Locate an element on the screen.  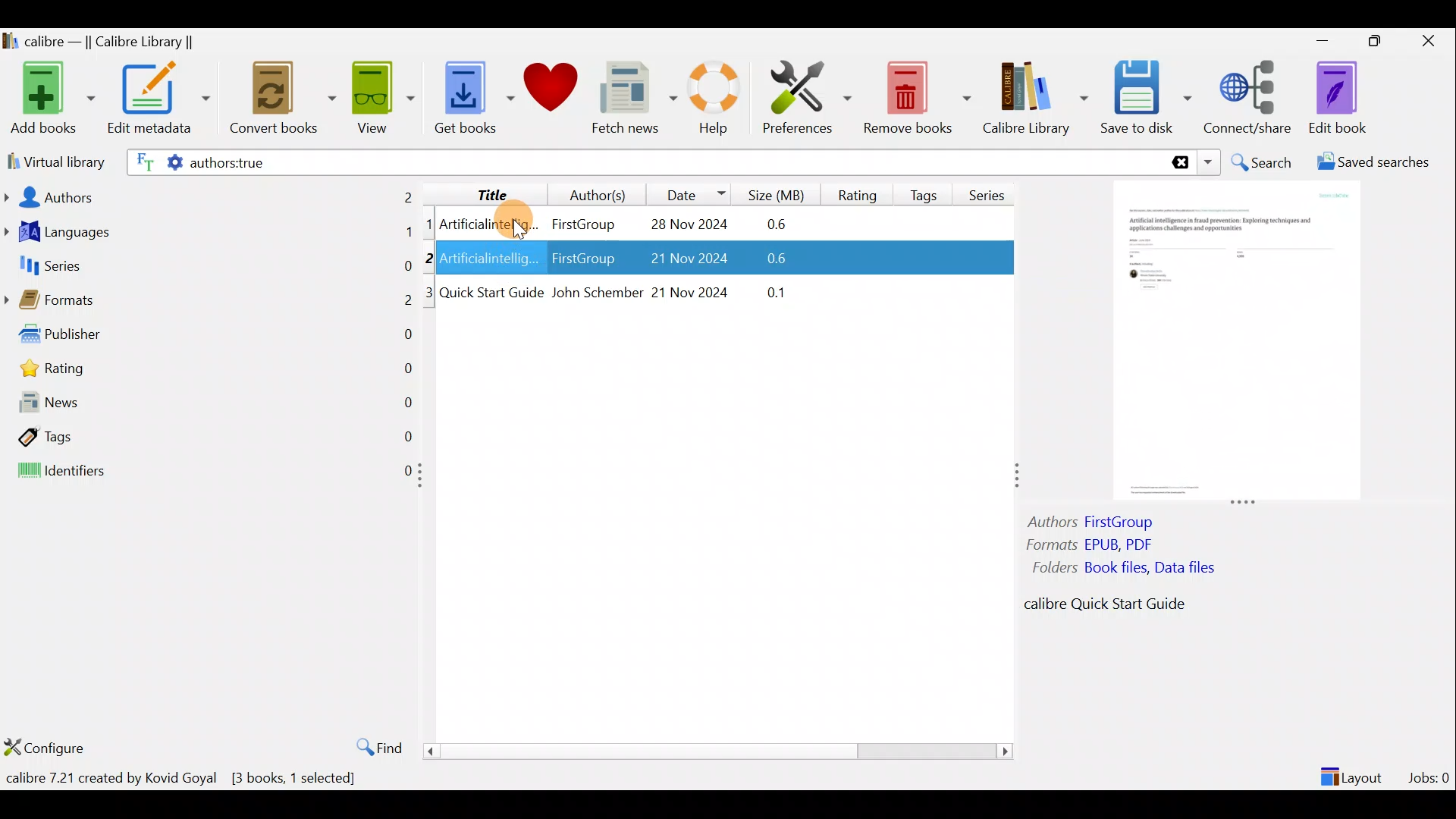
0.1 is located at coordinates (768, 290).